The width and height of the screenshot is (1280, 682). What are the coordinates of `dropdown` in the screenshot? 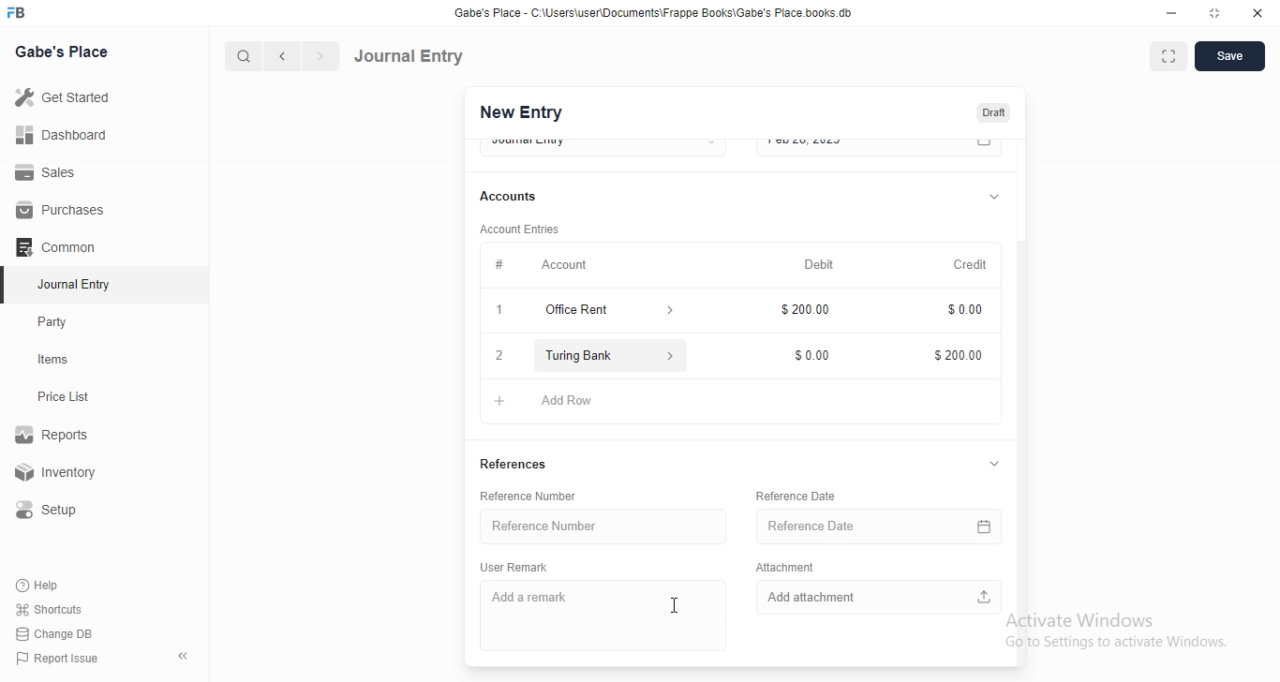 It's located at (992, 195).